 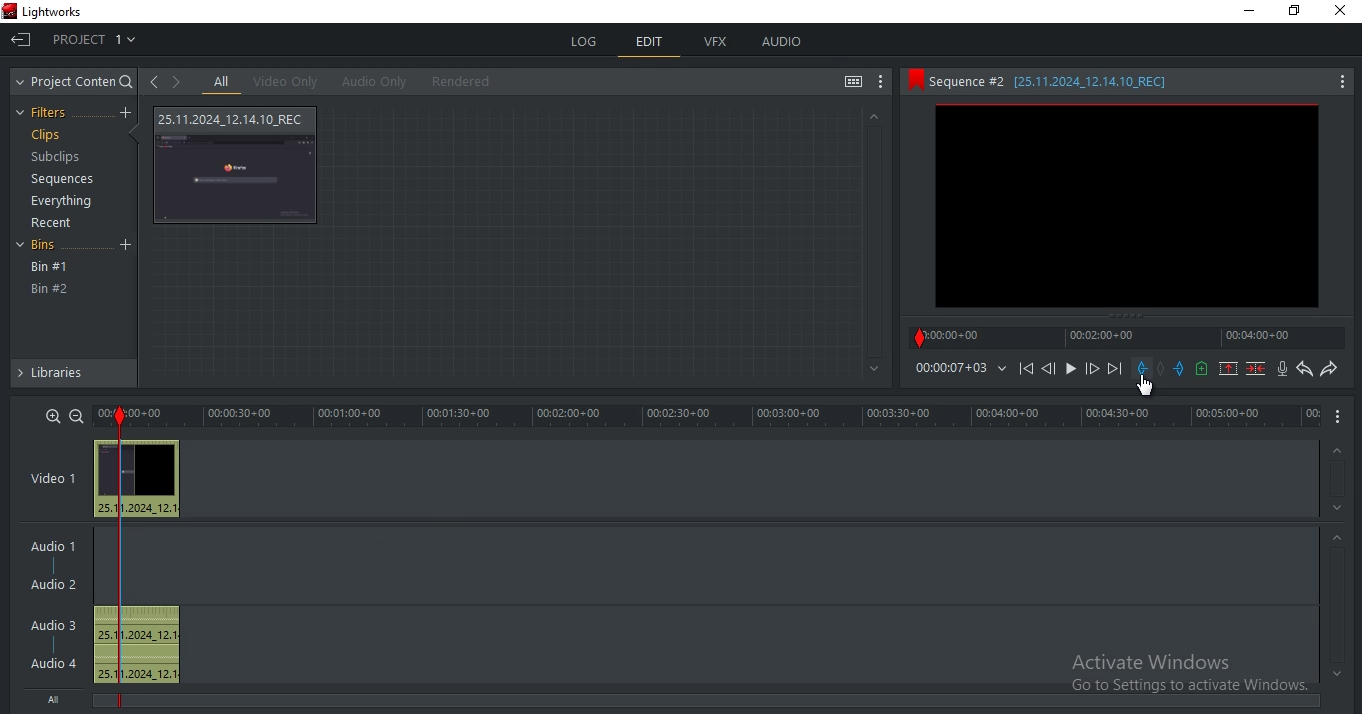 I want to click on , so click(x=176, y=83).